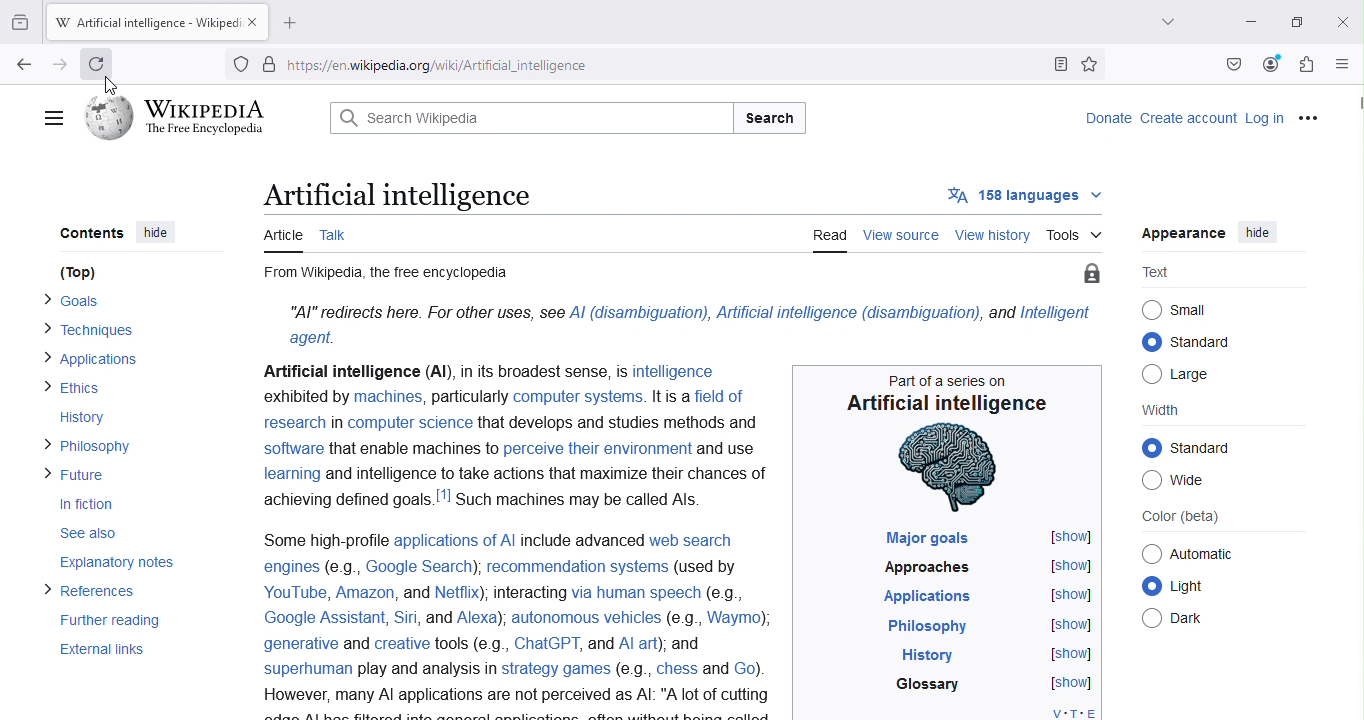  What do you see at coordinates (411, 593) in the screenshot?
I see `and` at bounding box center [411, 593].